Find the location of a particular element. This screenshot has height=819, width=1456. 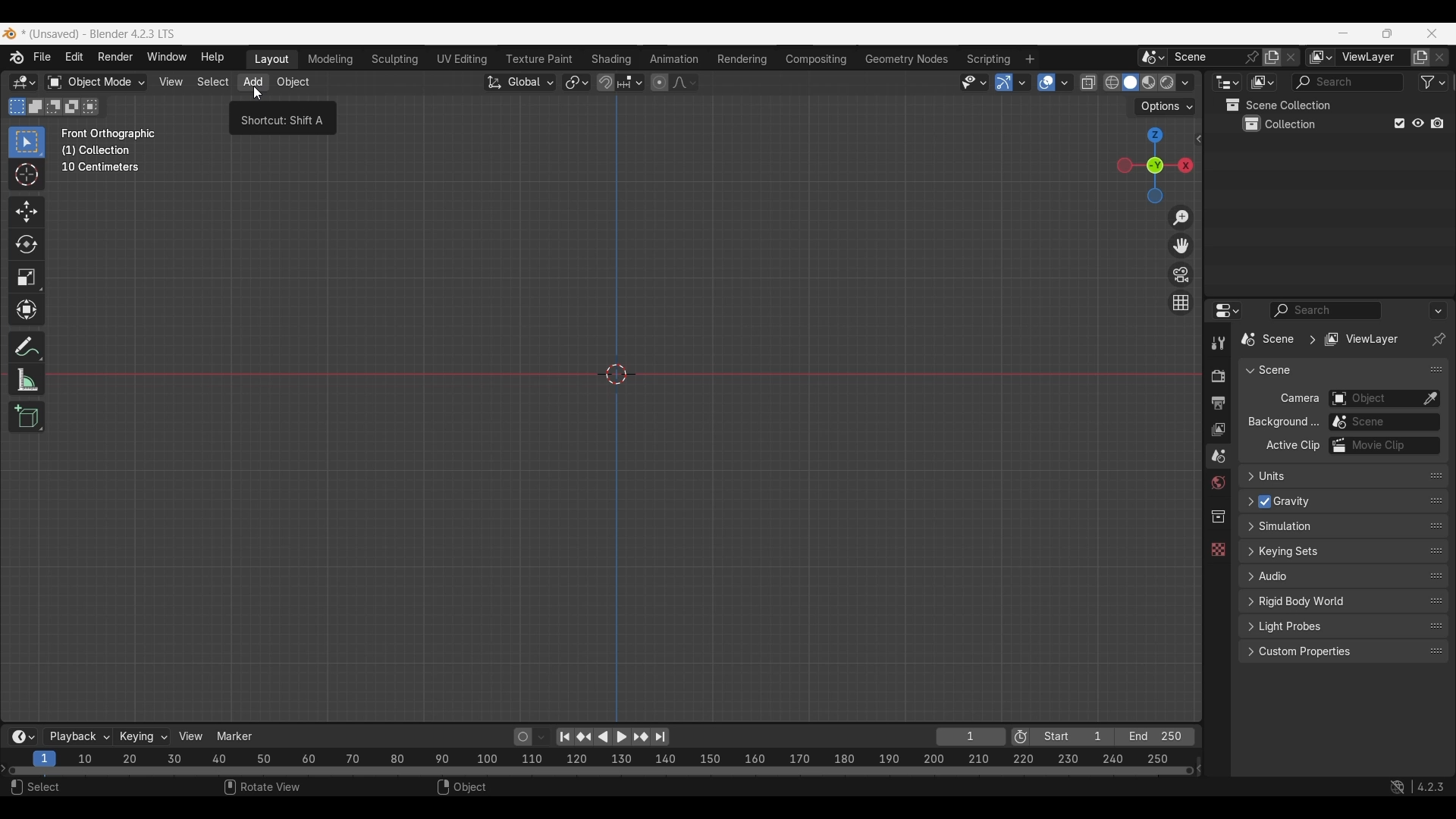

Close interface is located at coordinates (1432, 33).